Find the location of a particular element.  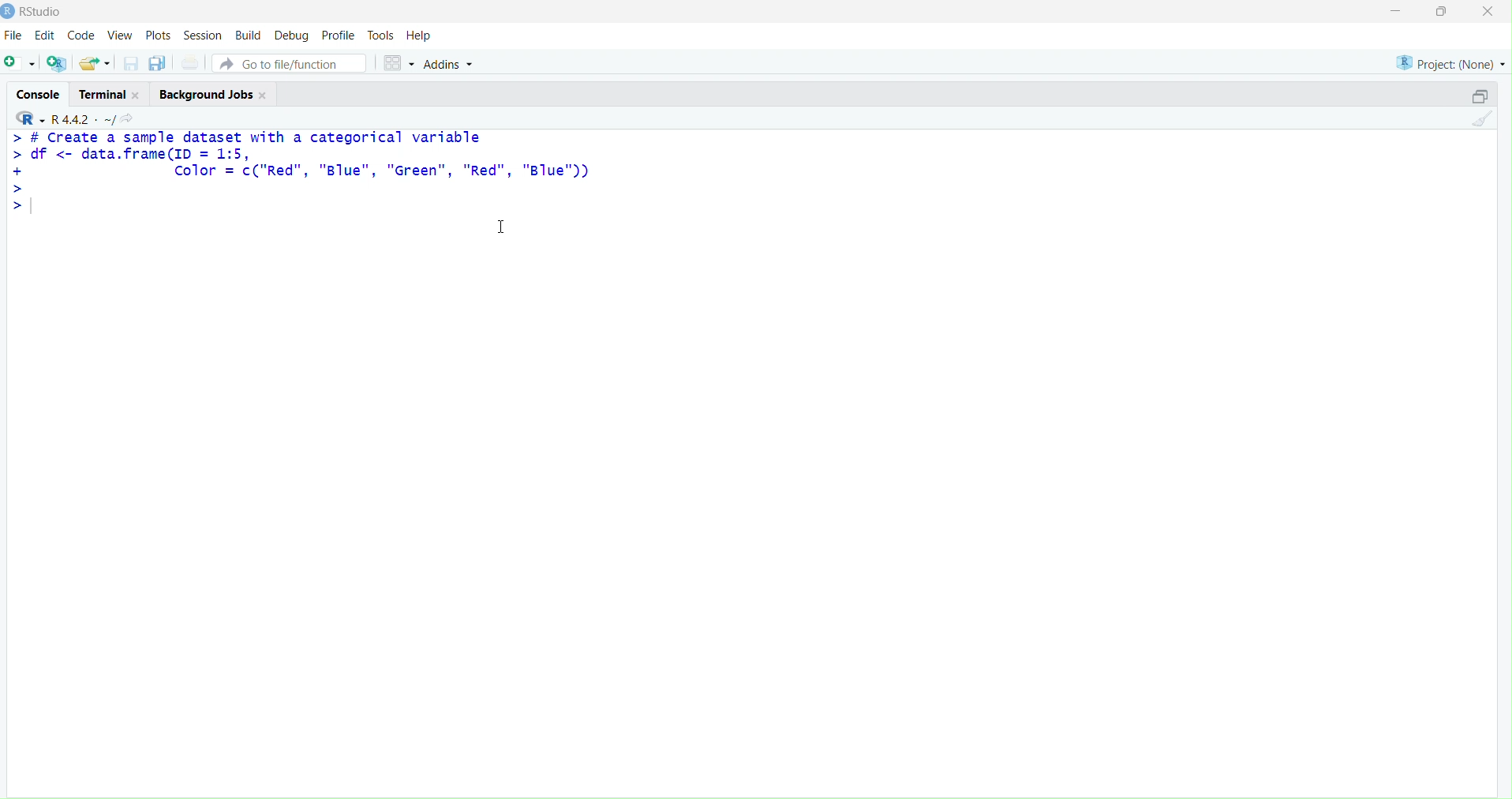

tools is located at coordinates (381, 36).